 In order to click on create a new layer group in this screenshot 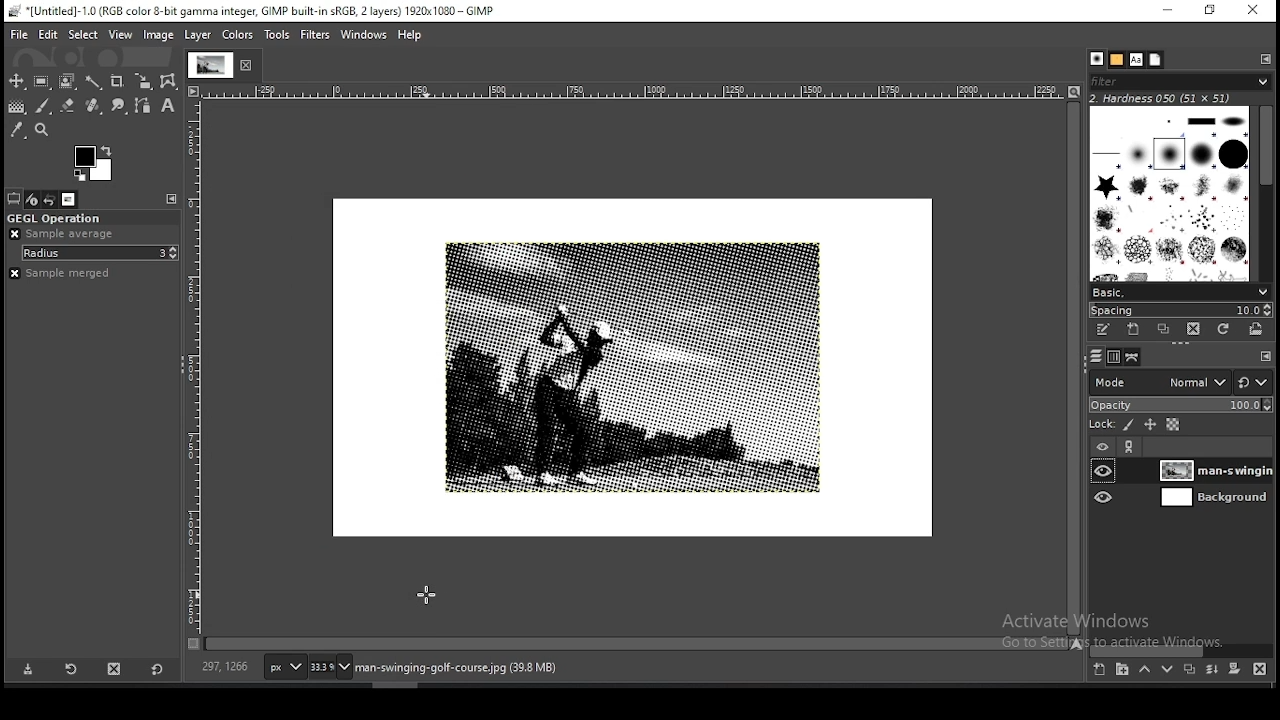, I will do `click(1123, 669)`.